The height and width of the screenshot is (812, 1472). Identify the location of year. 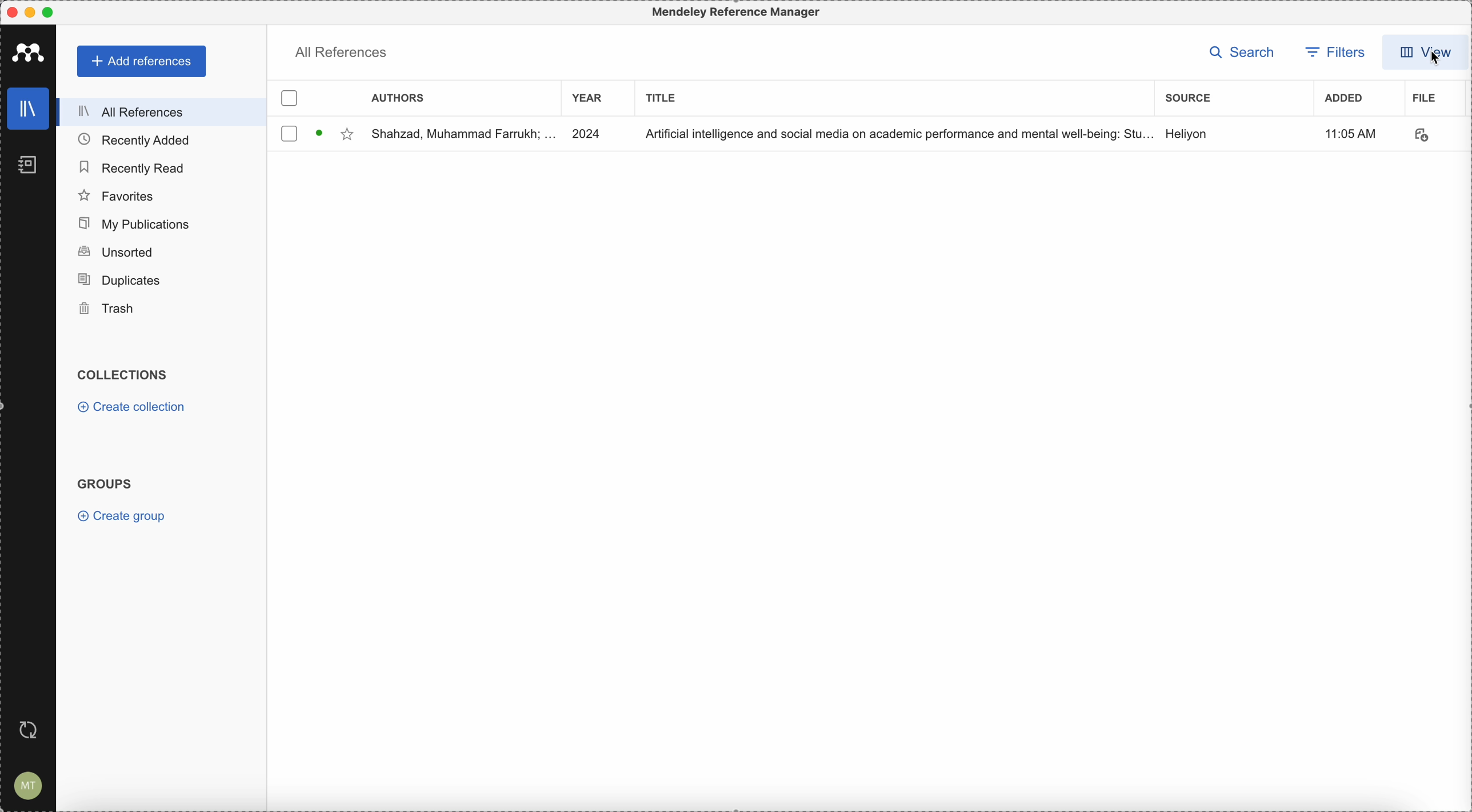
(591, 98).